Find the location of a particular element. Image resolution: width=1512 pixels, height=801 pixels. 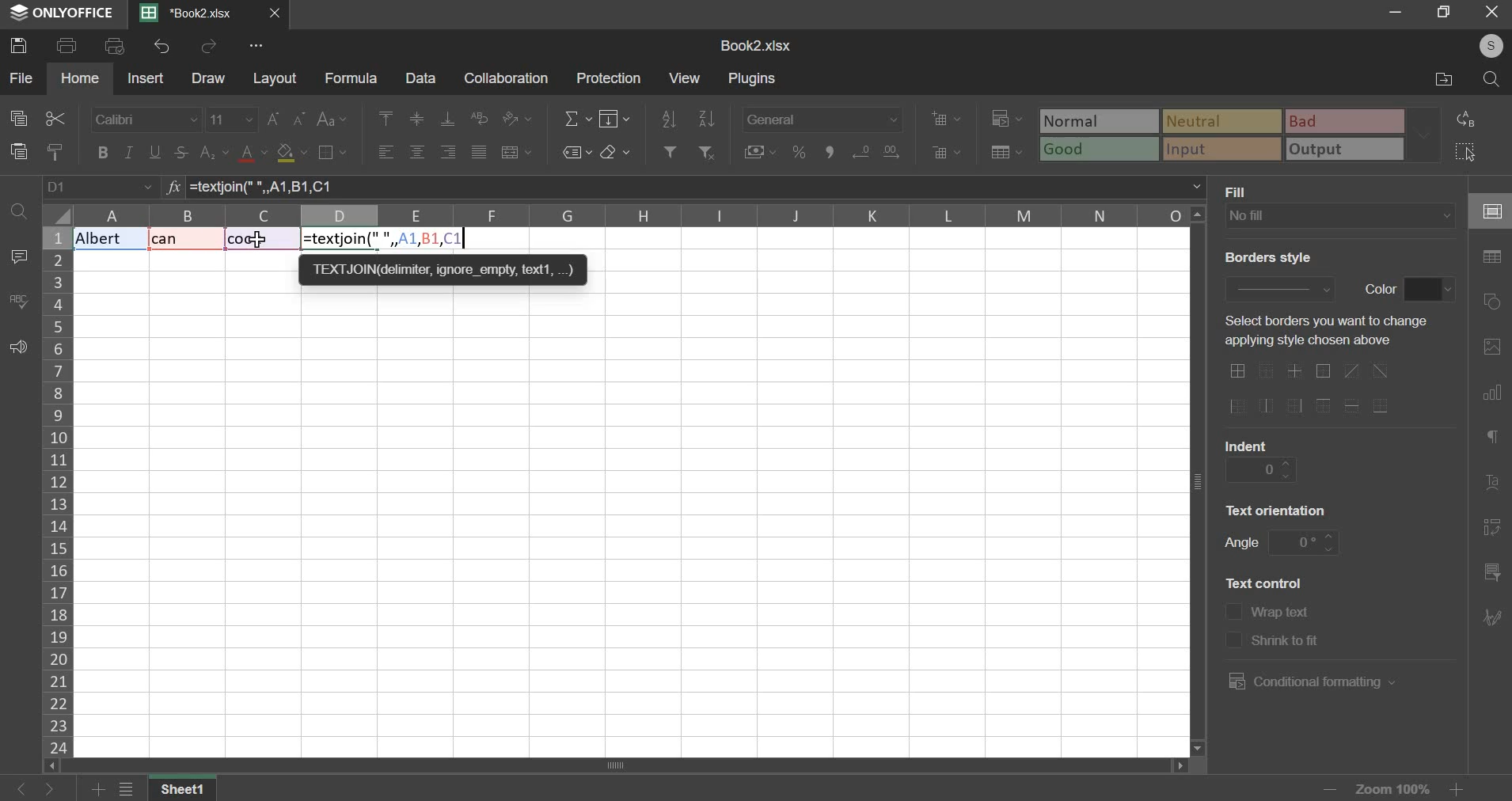

draw is located at coordinates (209, 79).